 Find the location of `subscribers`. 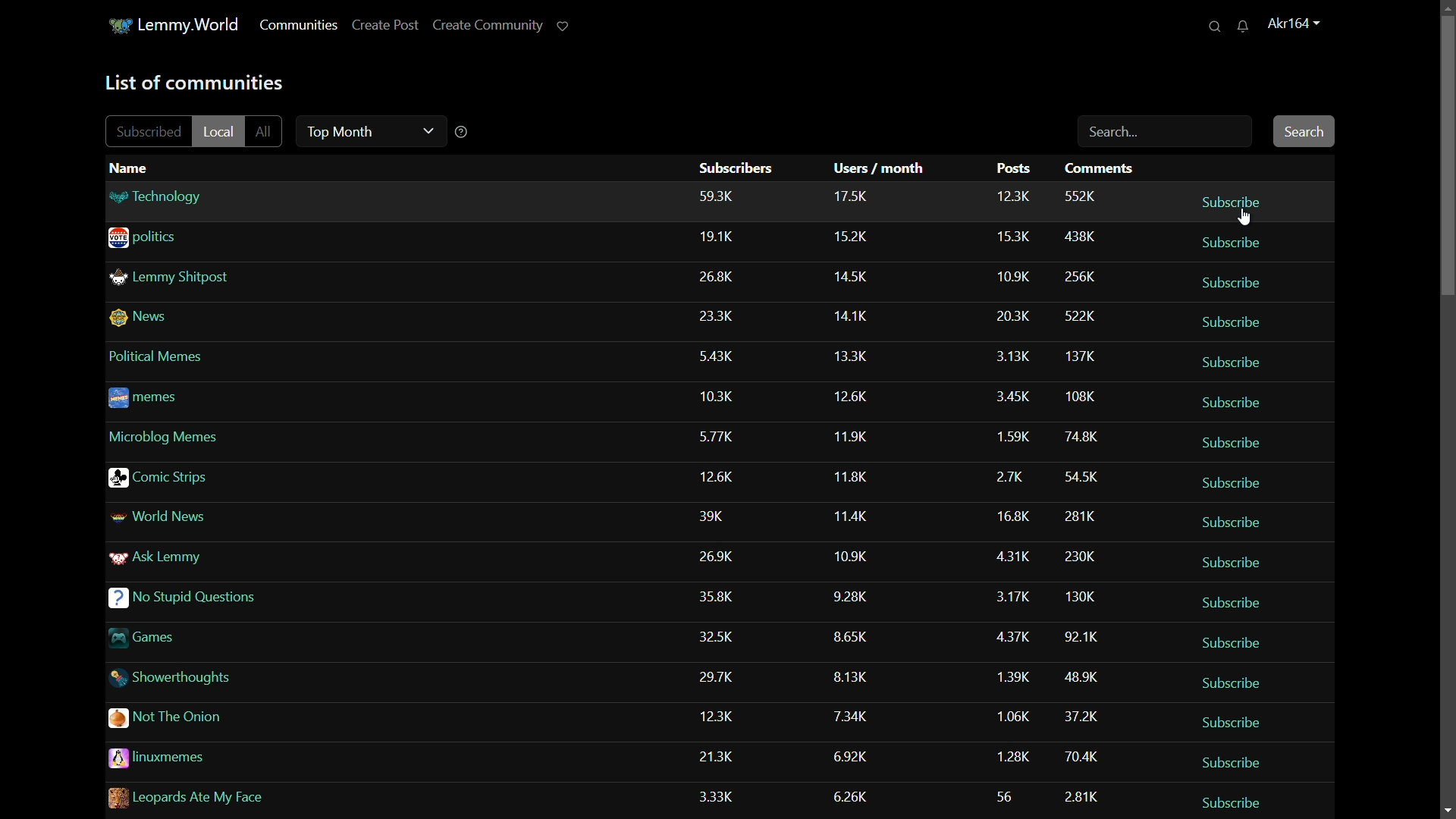

subscribers is located at coordinates (725, 679).